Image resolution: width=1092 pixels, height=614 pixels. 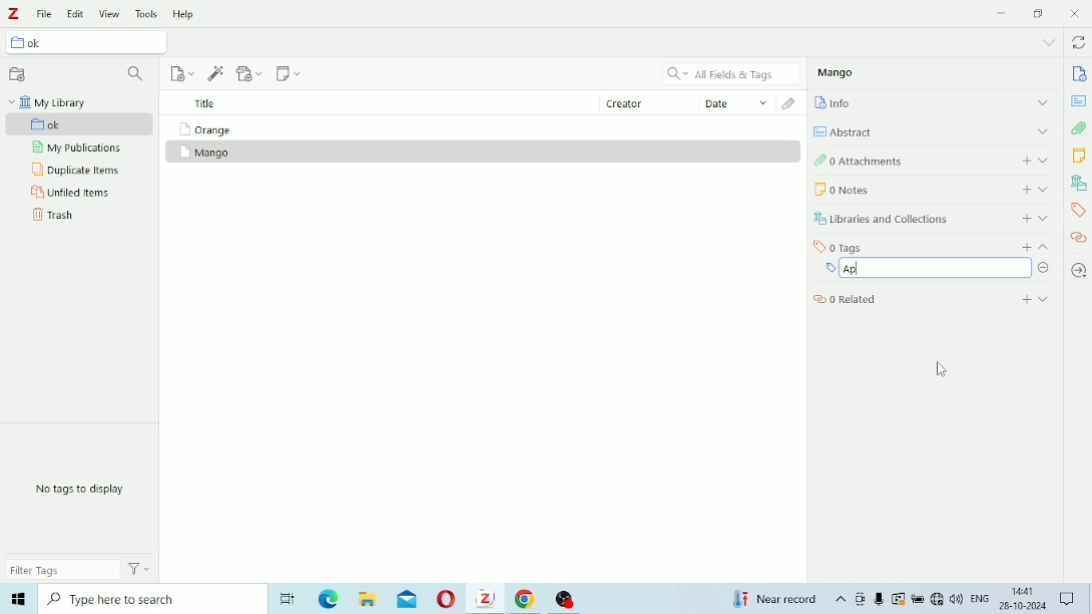 I want to click on Add Attachment, so click(x=250, y=74).